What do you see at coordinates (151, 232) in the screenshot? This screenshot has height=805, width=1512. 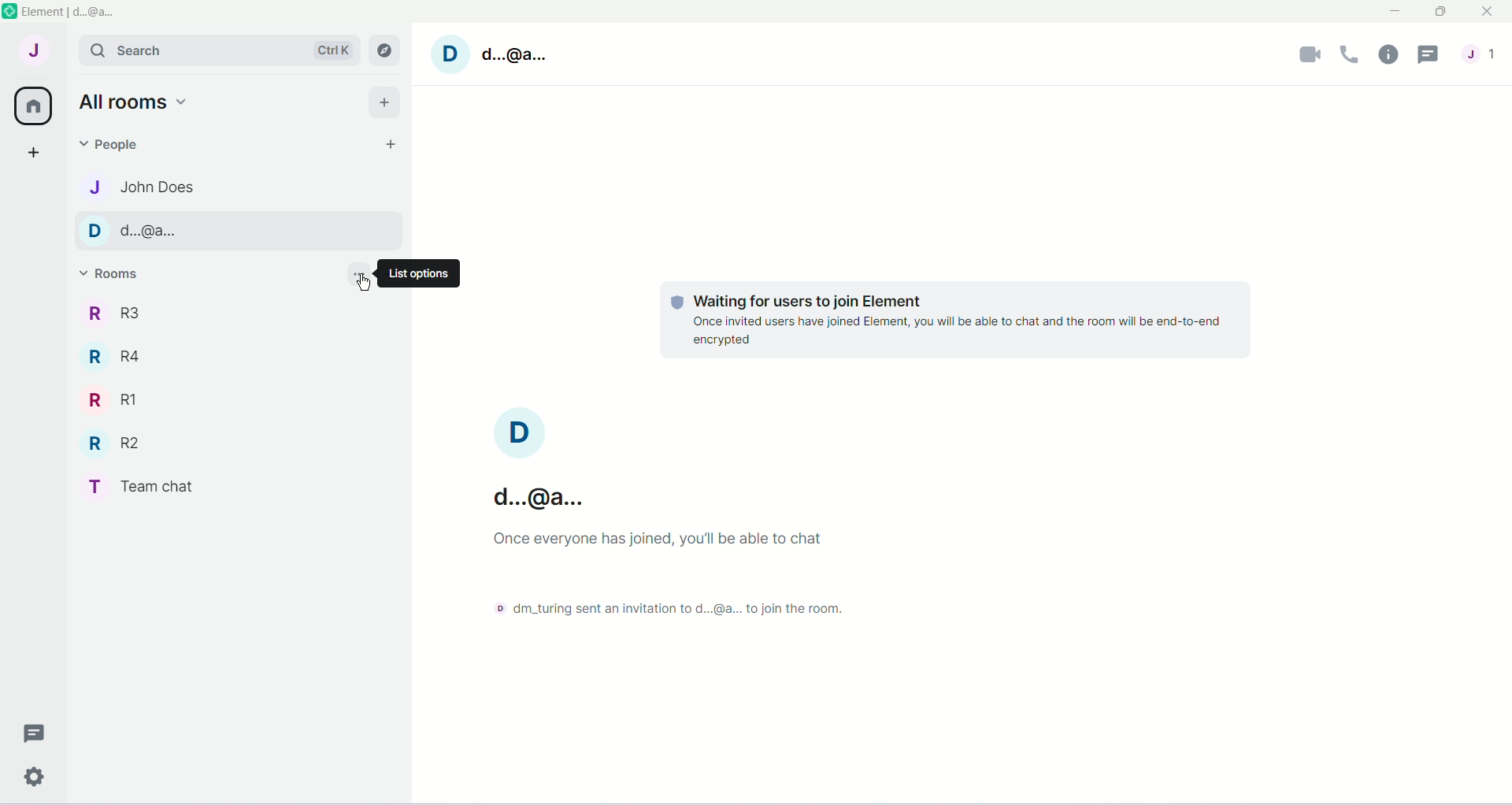 I see `d..@a` at bounding box center [151, 232].